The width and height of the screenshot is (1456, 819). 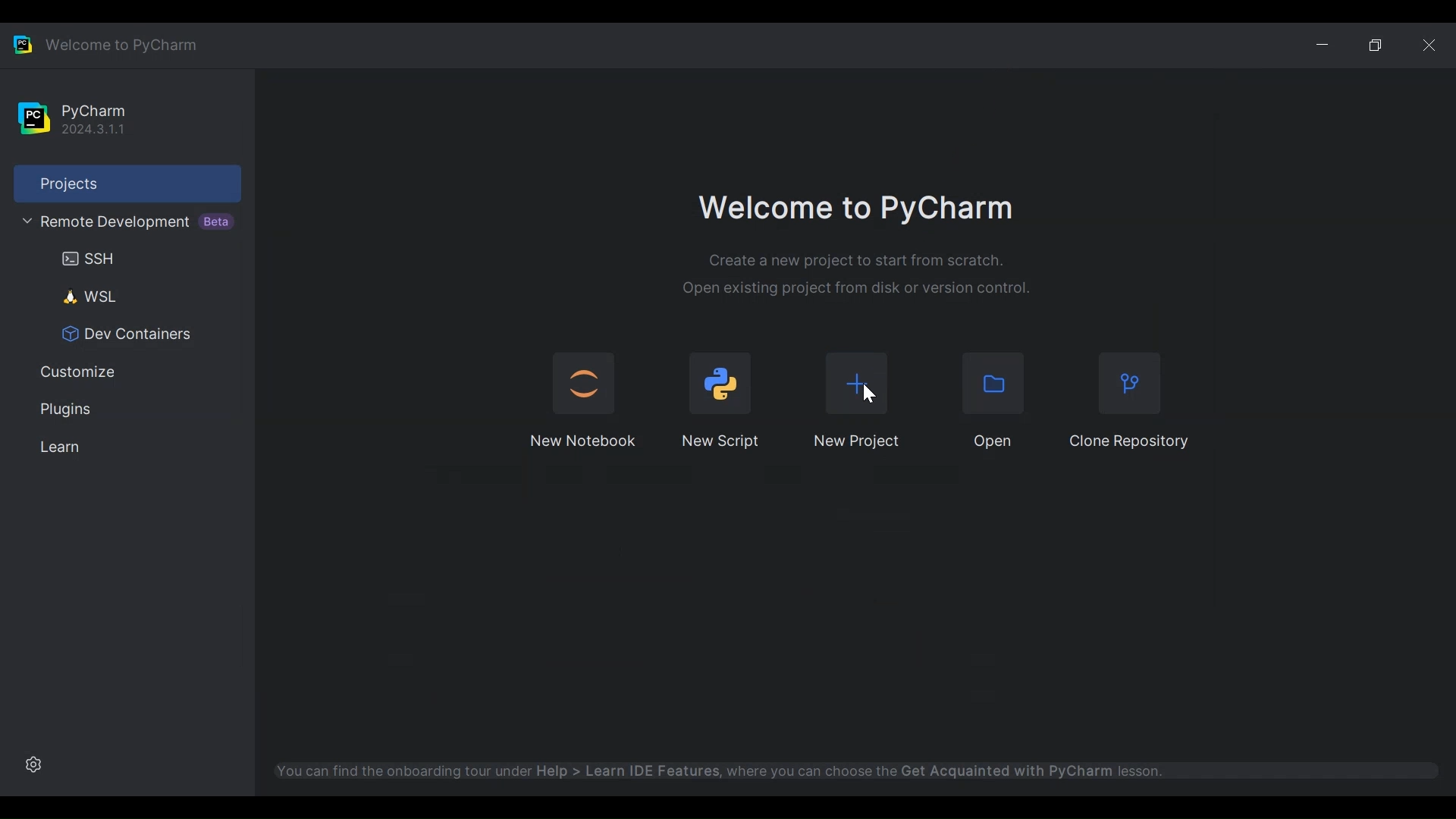 What do you see at coordinates (870, 394) in the screenshot?
I see `Cursor` at bounding box center [870, 394].